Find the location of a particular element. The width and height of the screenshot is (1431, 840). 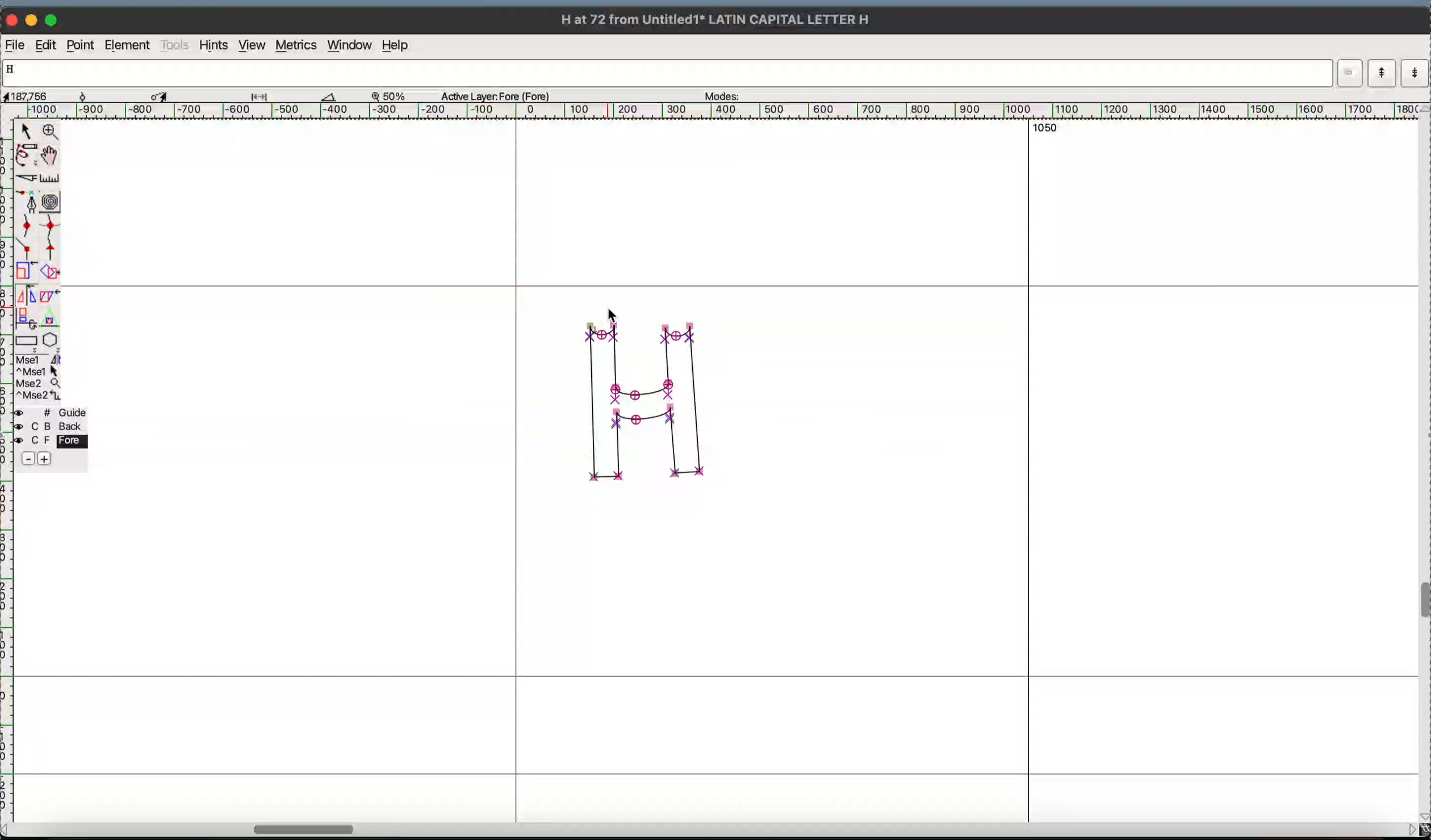

next word is located at coordinates (1415, 73).